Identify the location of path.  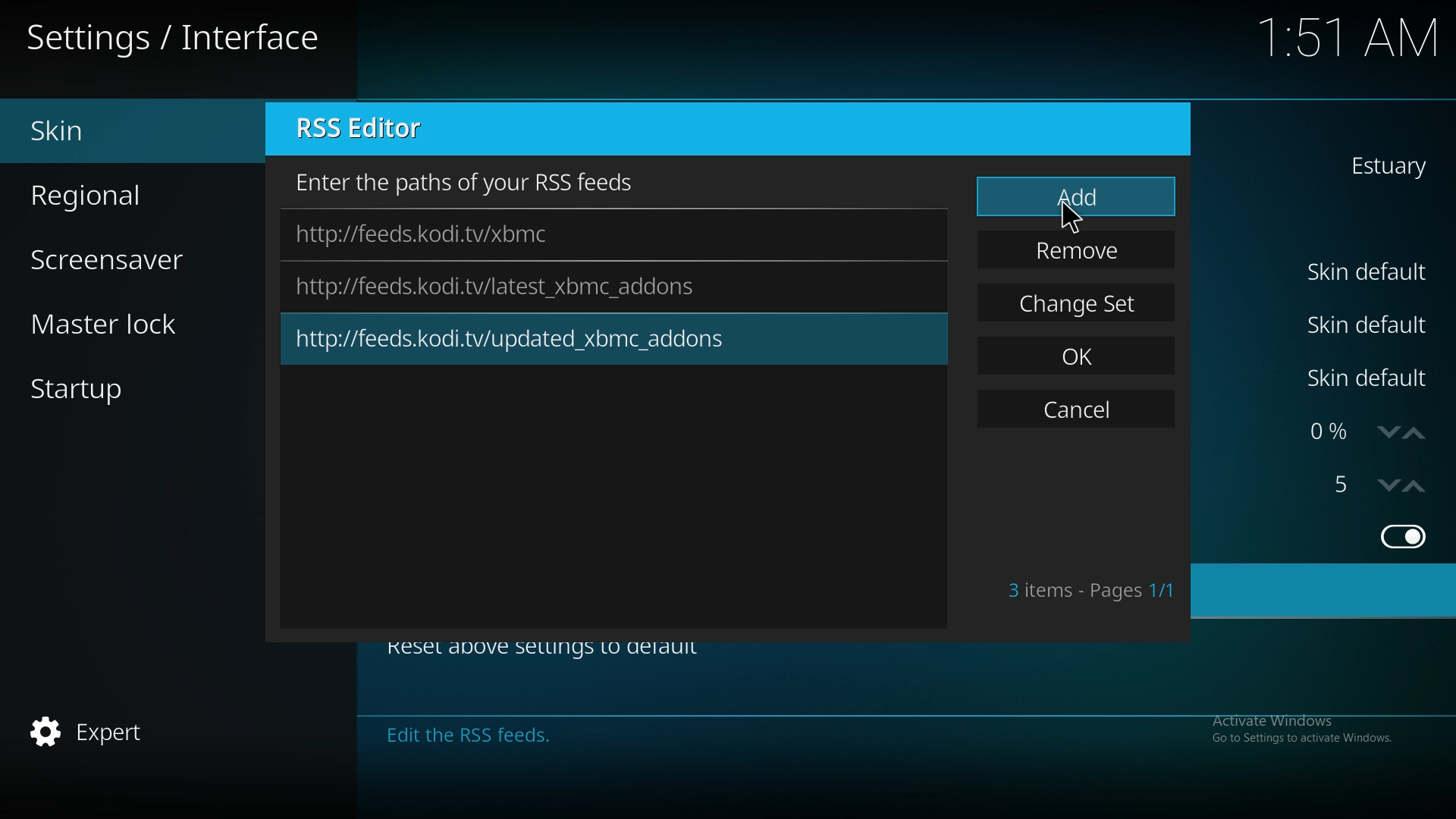
(447, 234).